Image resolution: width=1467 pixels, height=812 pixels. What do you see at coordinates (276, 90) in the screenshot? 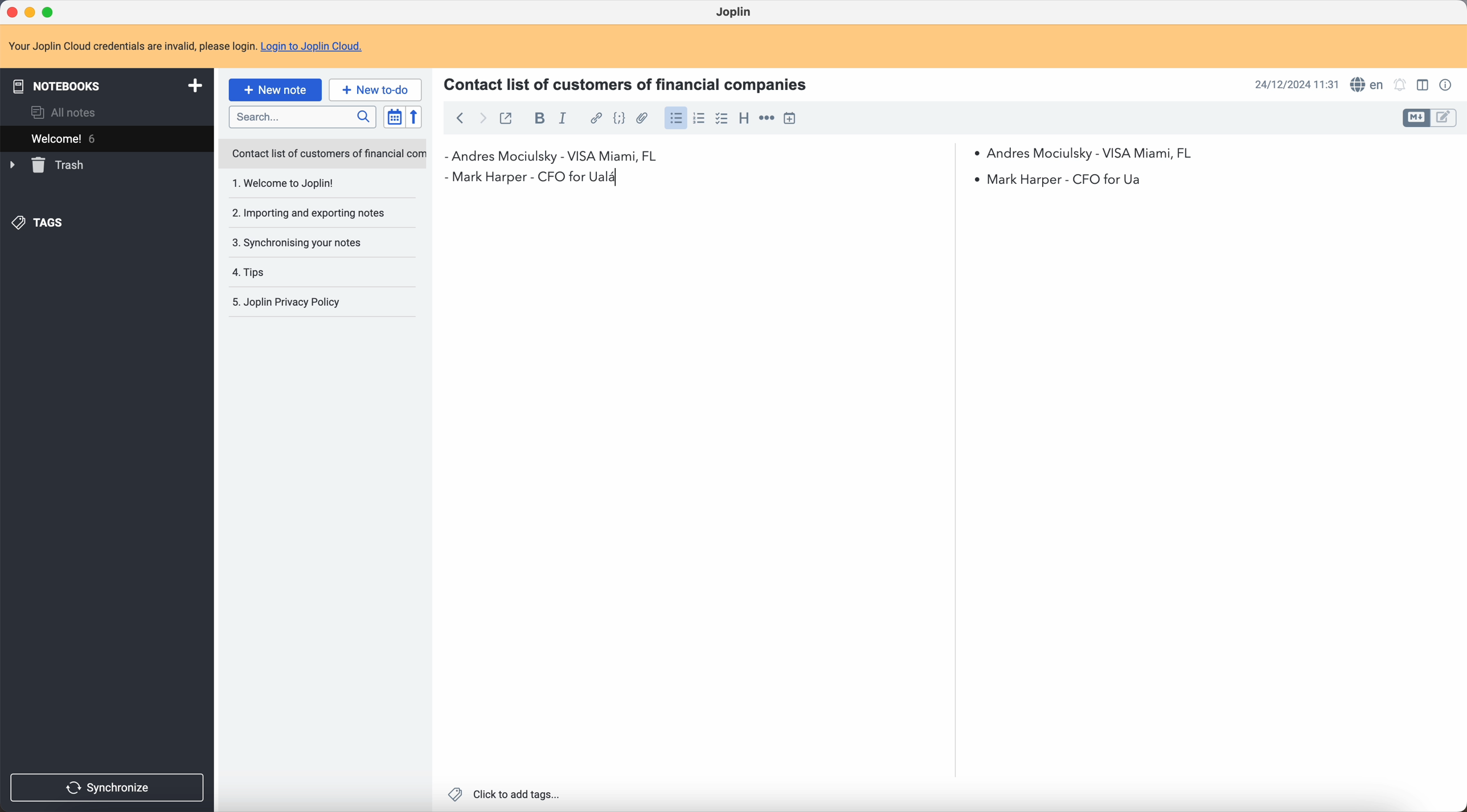
I see `click on new note` at bounding box center [276, 90].